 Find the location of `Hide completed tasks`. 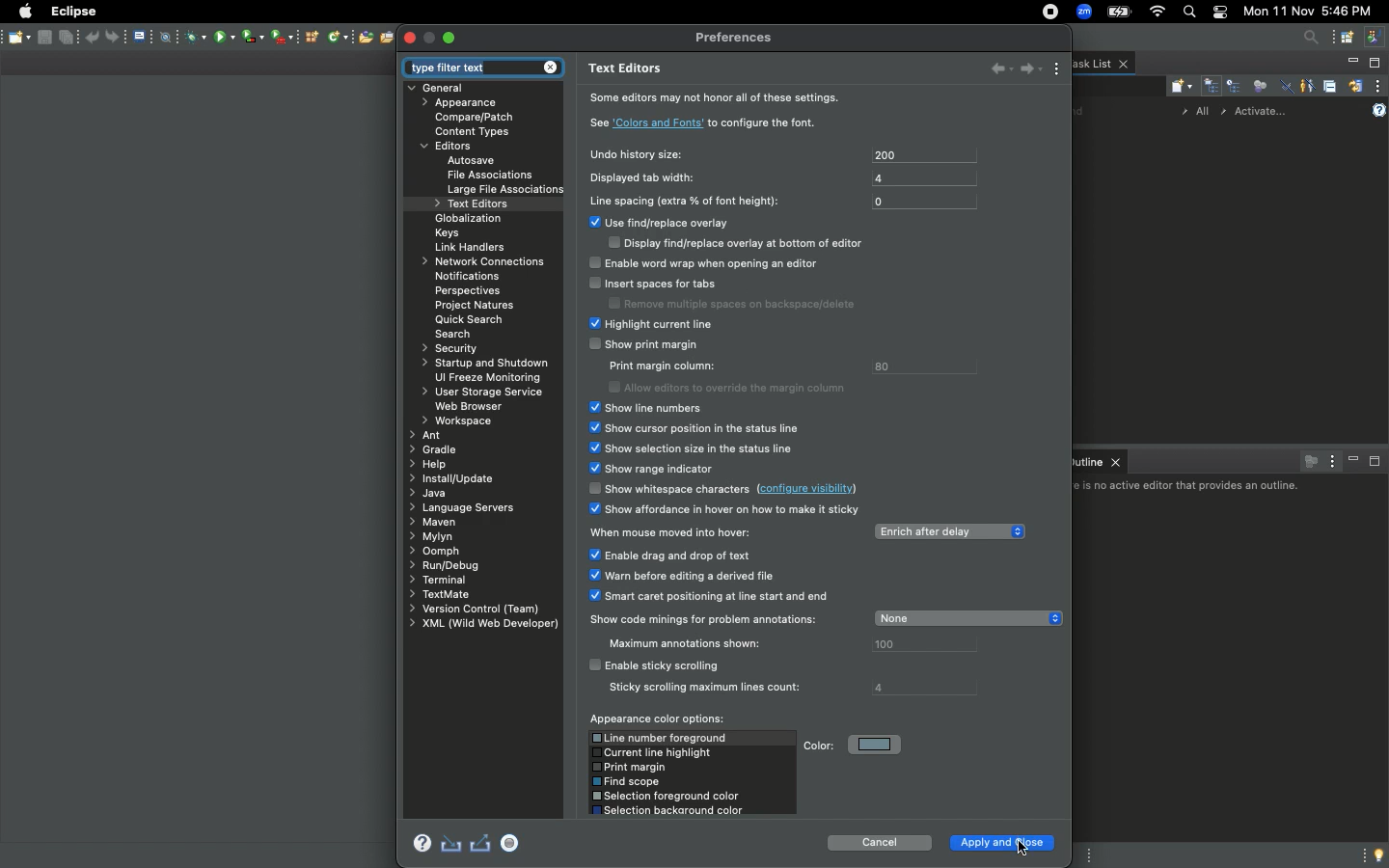

Hide completed tasks is located at coordinates (1283, 87).